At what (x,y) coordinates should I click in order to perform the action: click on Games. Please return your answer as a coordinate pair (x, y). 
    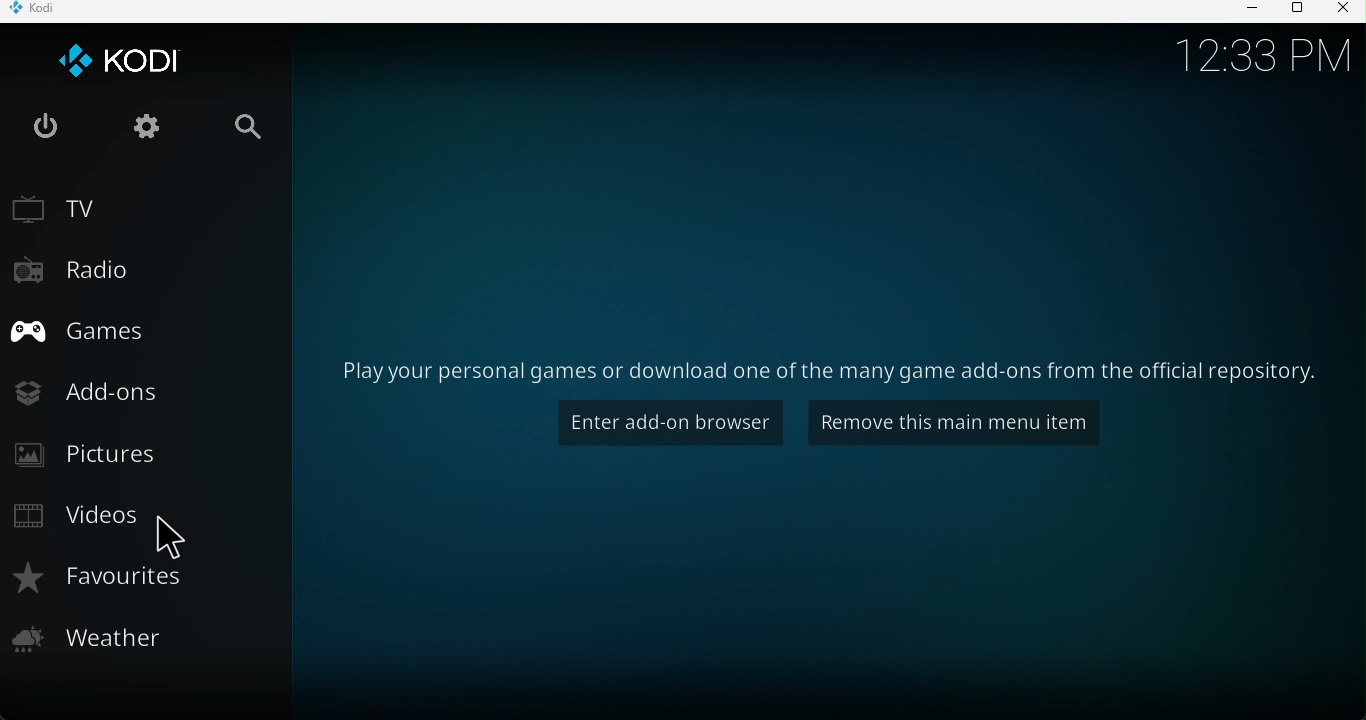
    Looking at the image, I should click on (79, 336).